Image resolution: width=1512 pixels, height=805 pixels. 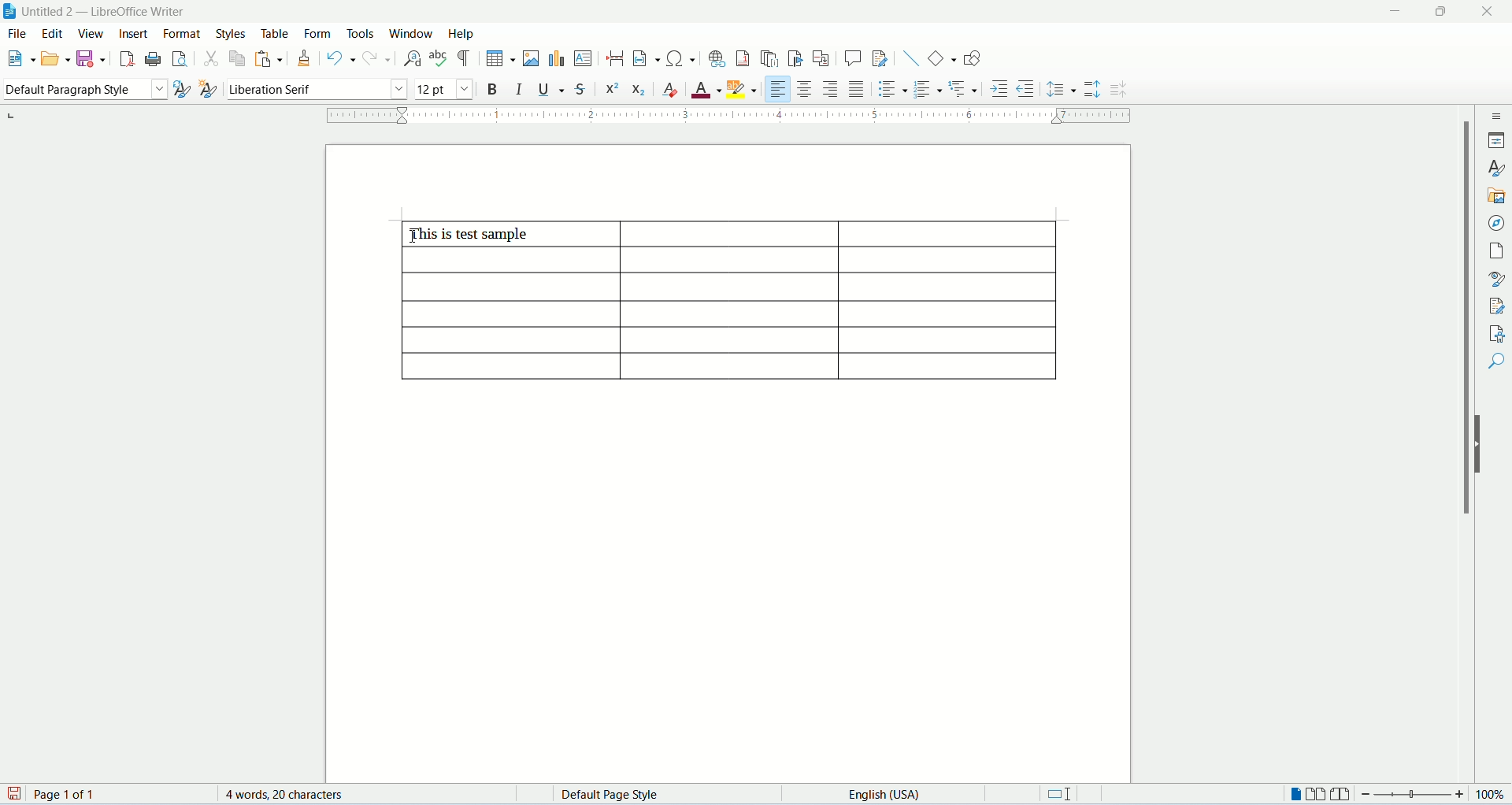 I want to click on styles, so click(x=234, y=32).